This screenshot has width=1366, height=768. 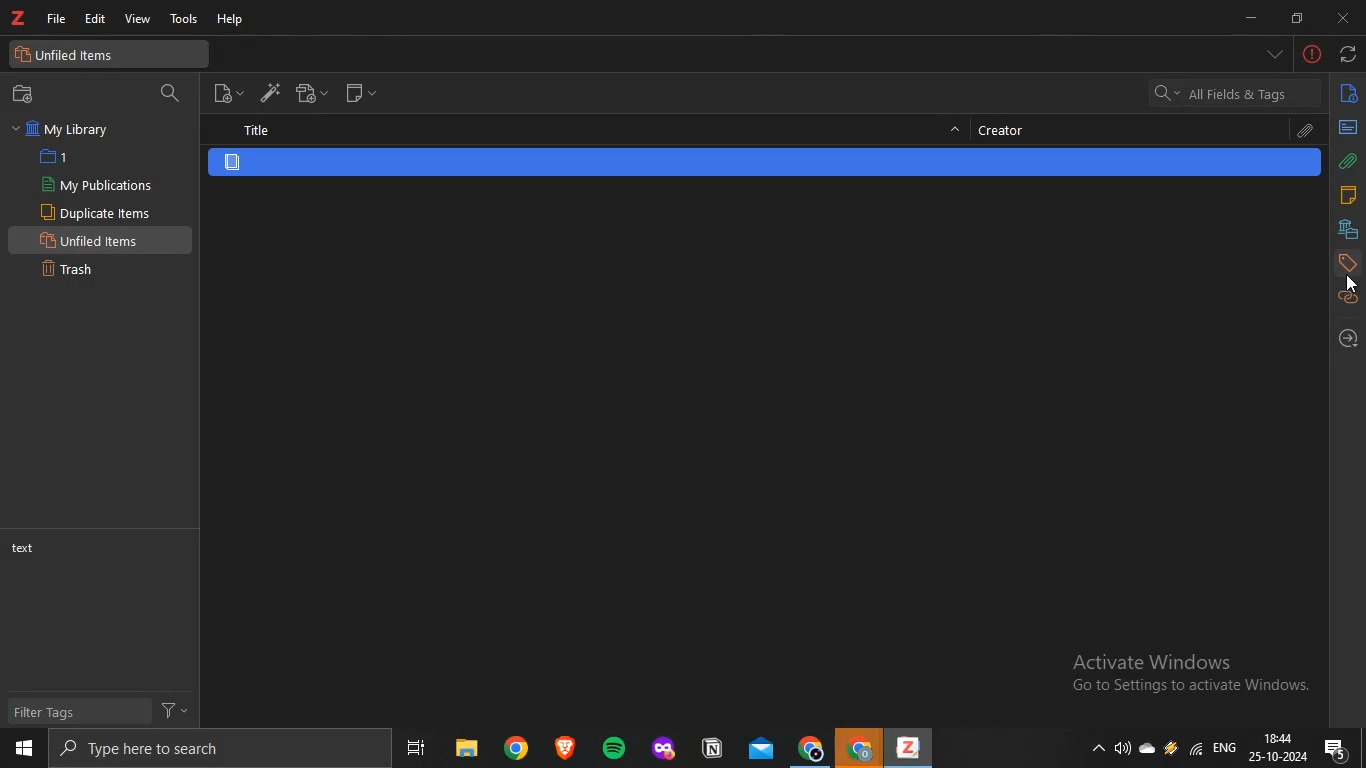 I want to click on add items by identifier, so click(x=270, y=92).